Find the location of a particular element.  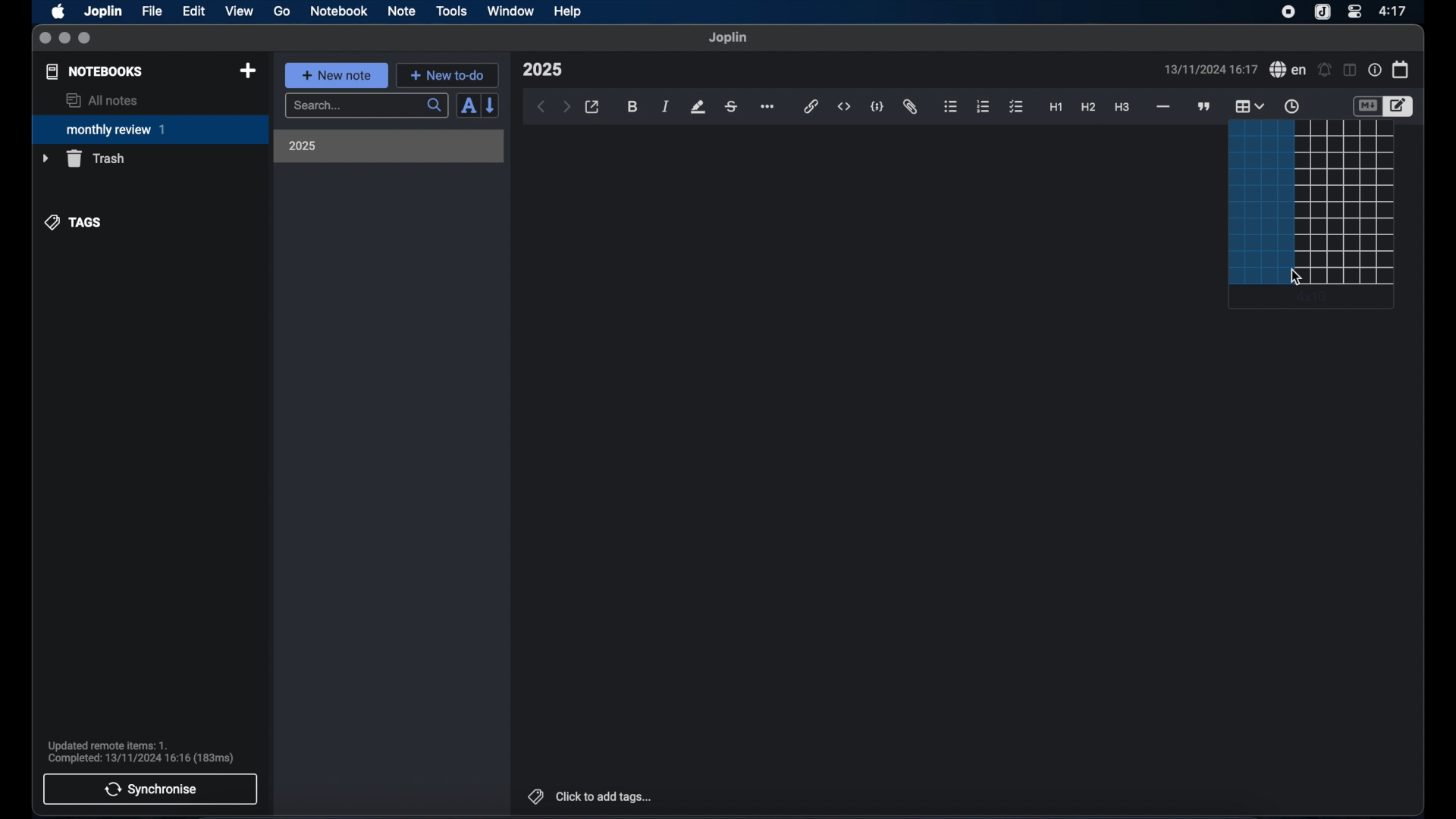

highlight is located at coordinates (698, 107).